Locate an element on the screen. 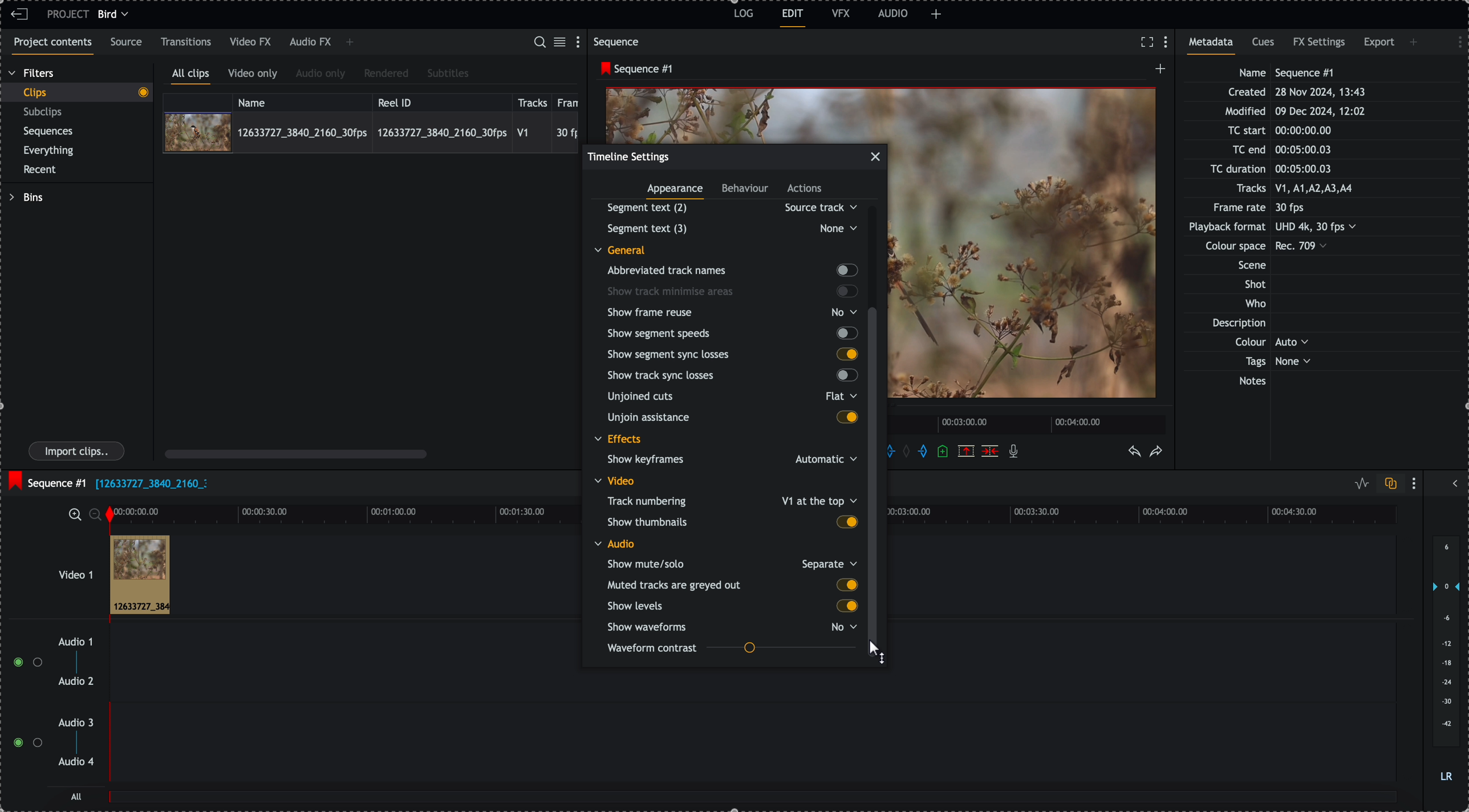  add a cue at the current position is located at coordinates (944, 452).